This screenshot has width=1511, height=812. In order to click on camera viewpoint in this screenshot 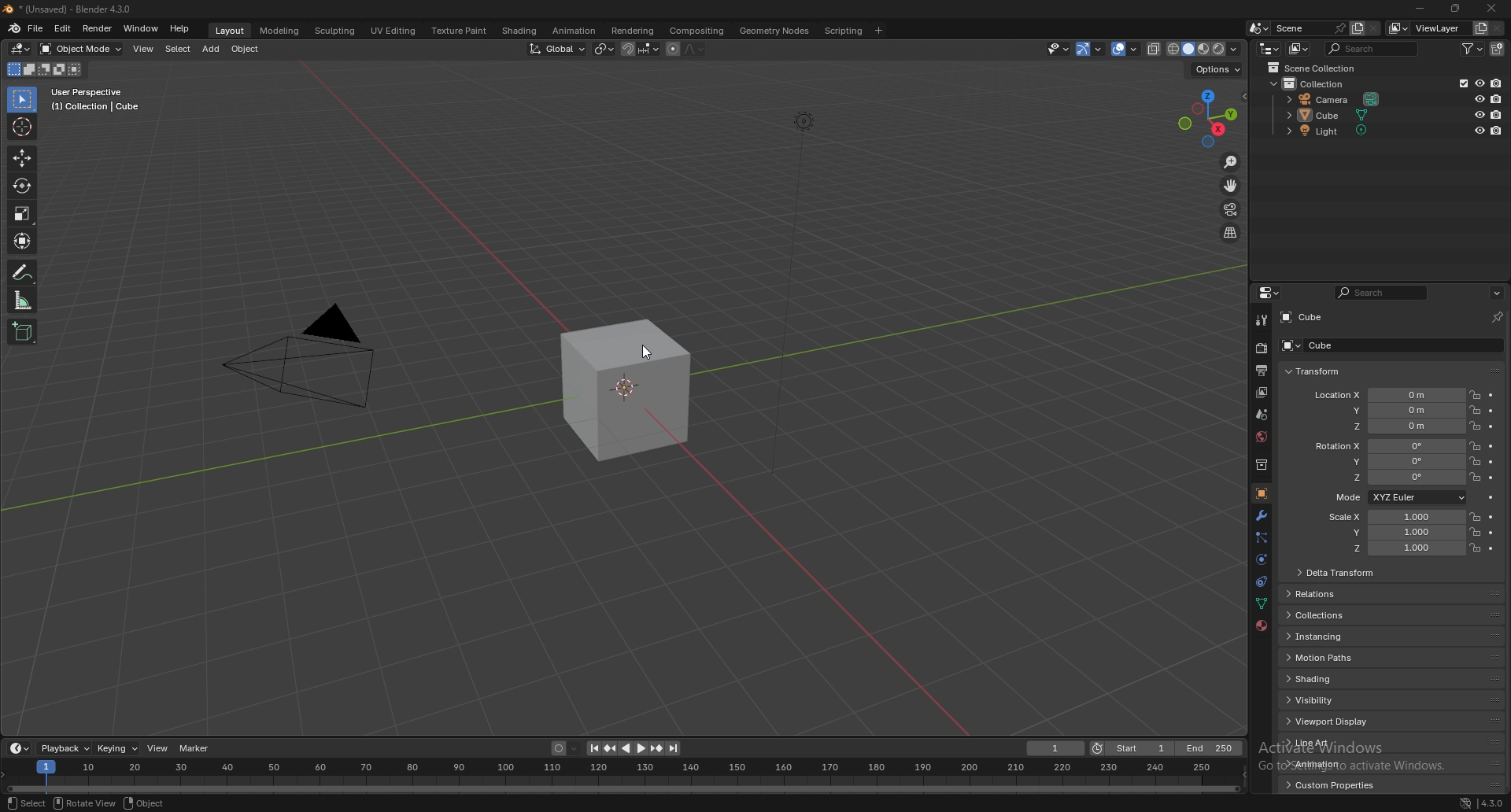, I will do `click(1230, 210)`.